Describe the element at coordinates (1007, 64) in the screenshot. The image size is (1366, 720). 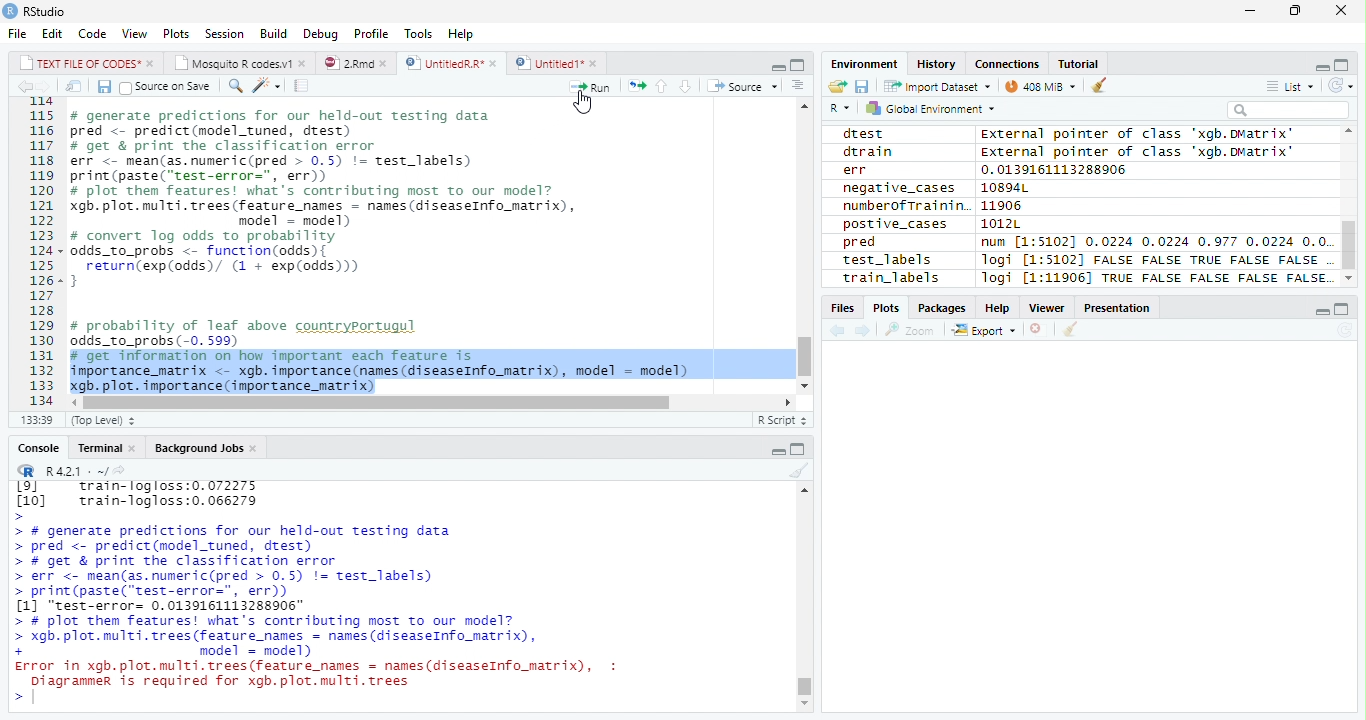
I see `Connections` at that location.